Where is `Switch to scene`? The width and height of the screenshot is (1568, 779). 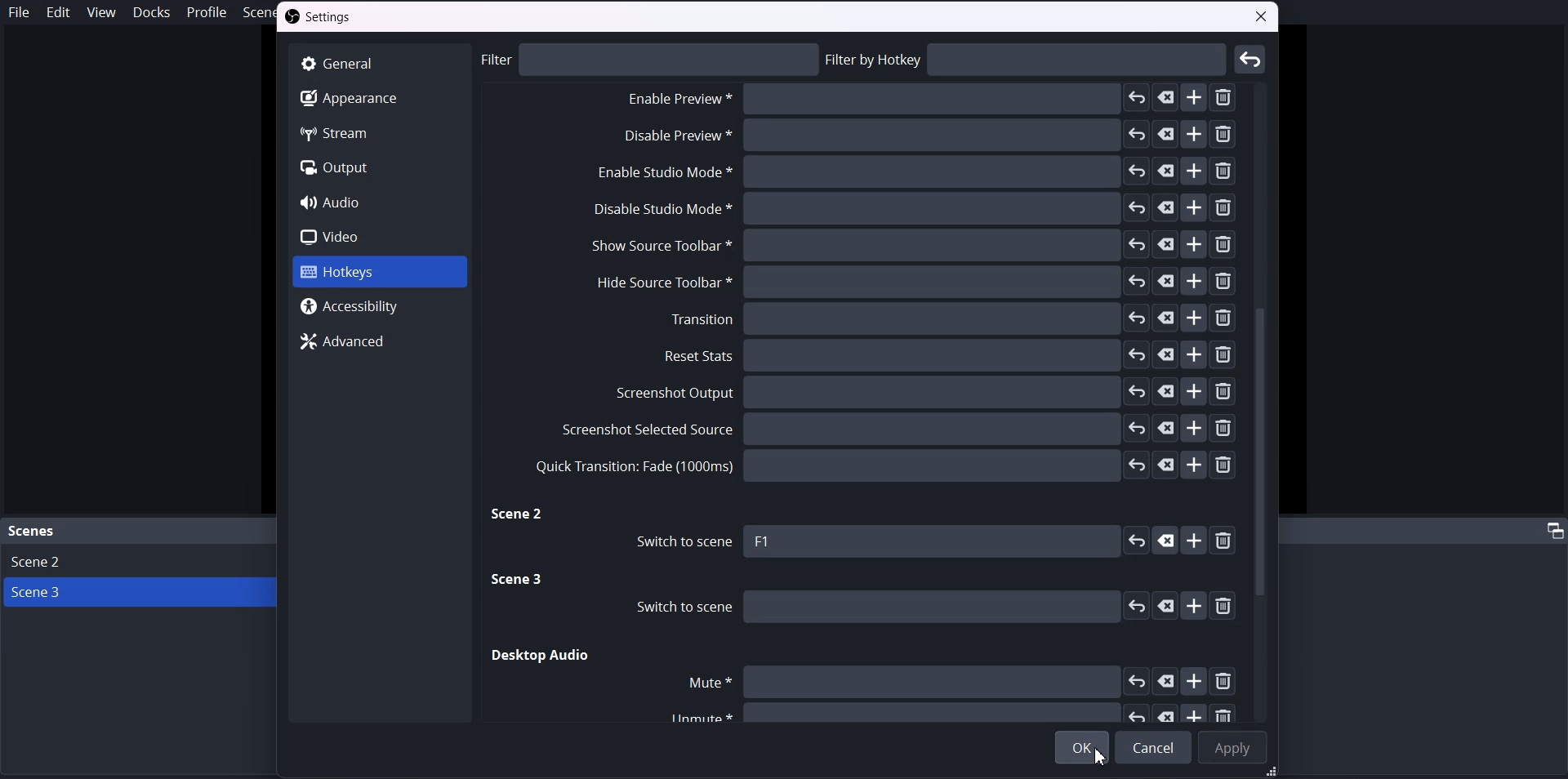 Switch to scene is located at coordinates (678, 542).